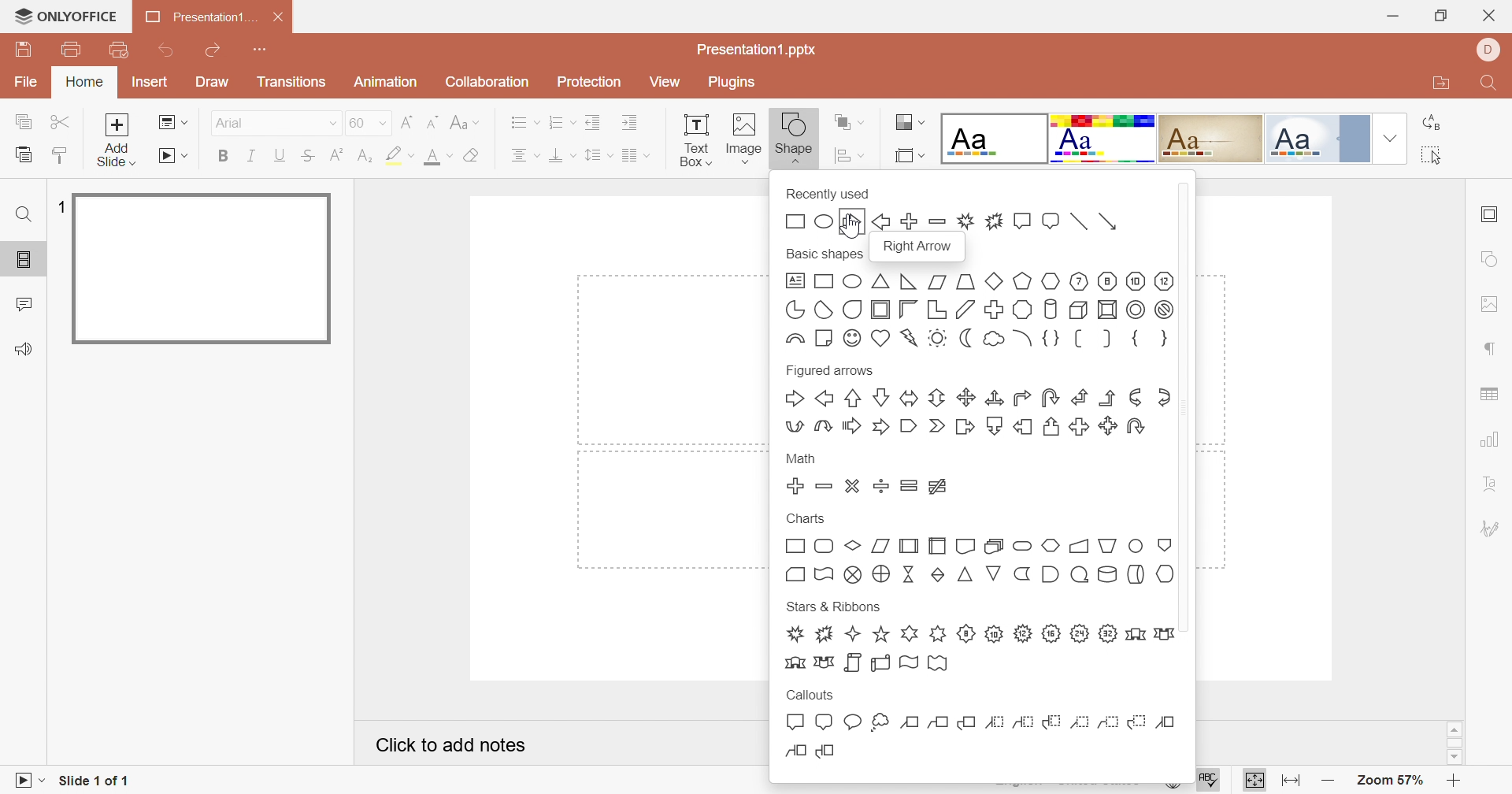 The width and height of the screenshot is (1512, 794). I want to click on Slide 1 of 1, so click(91, 781).